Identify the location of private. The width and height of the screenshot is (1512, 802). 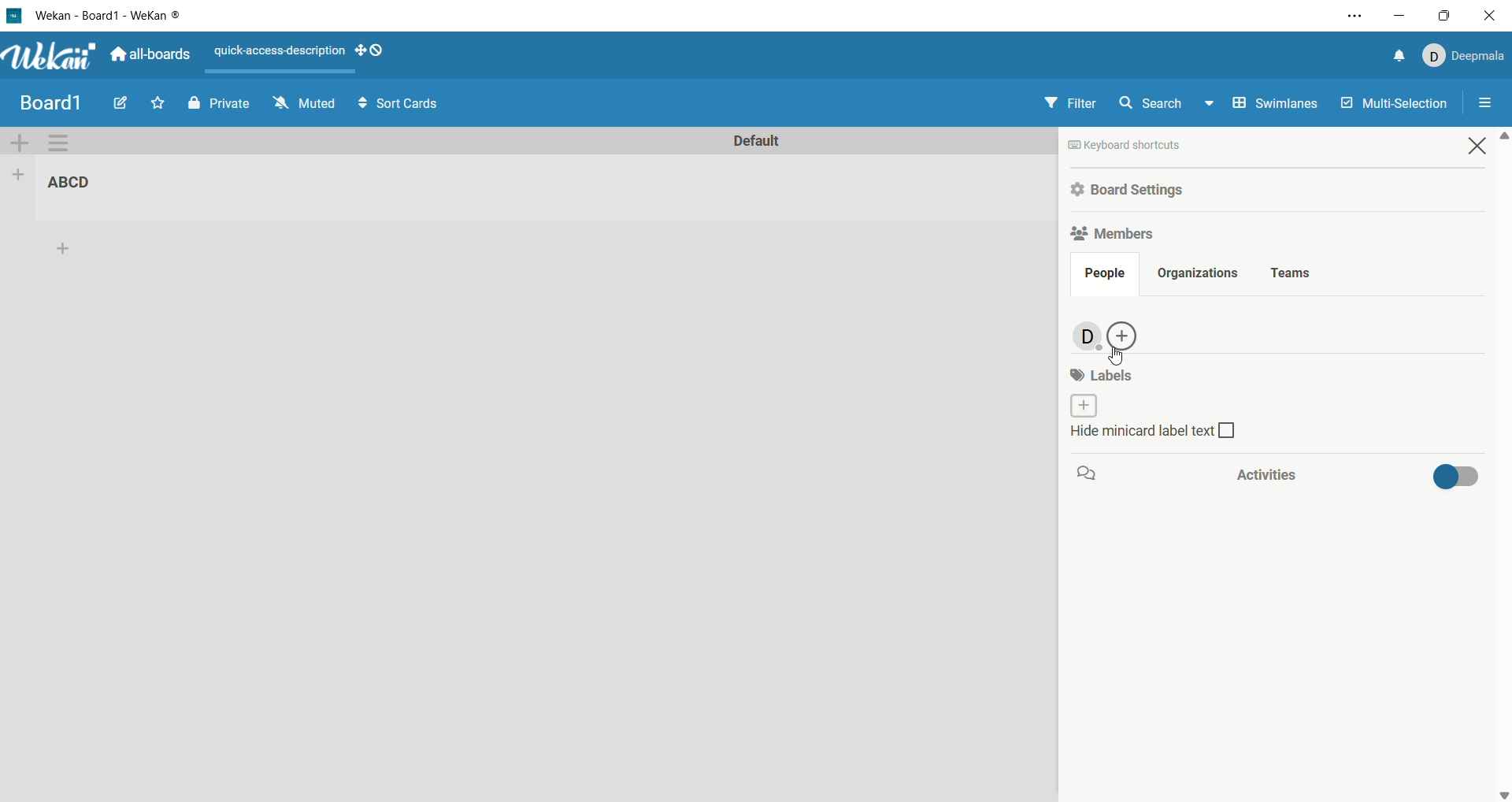
(221, 104).